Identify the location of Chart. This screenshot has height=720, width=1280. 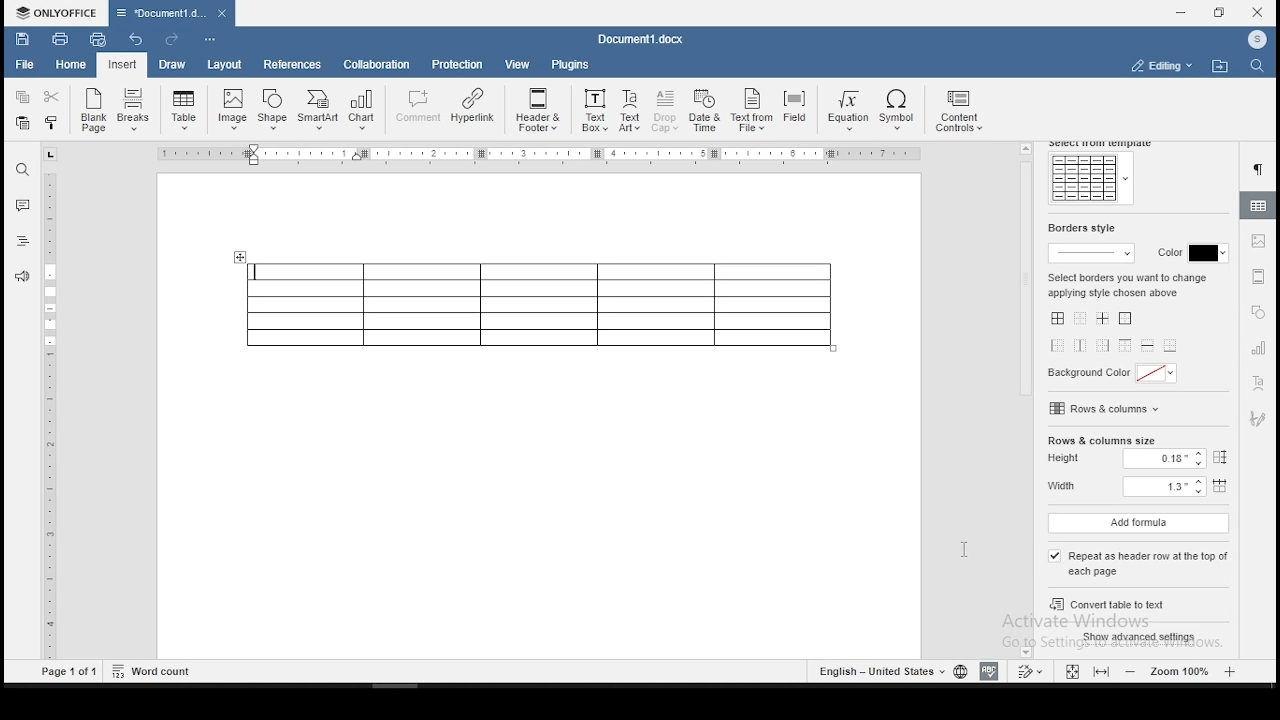
(361, 112).